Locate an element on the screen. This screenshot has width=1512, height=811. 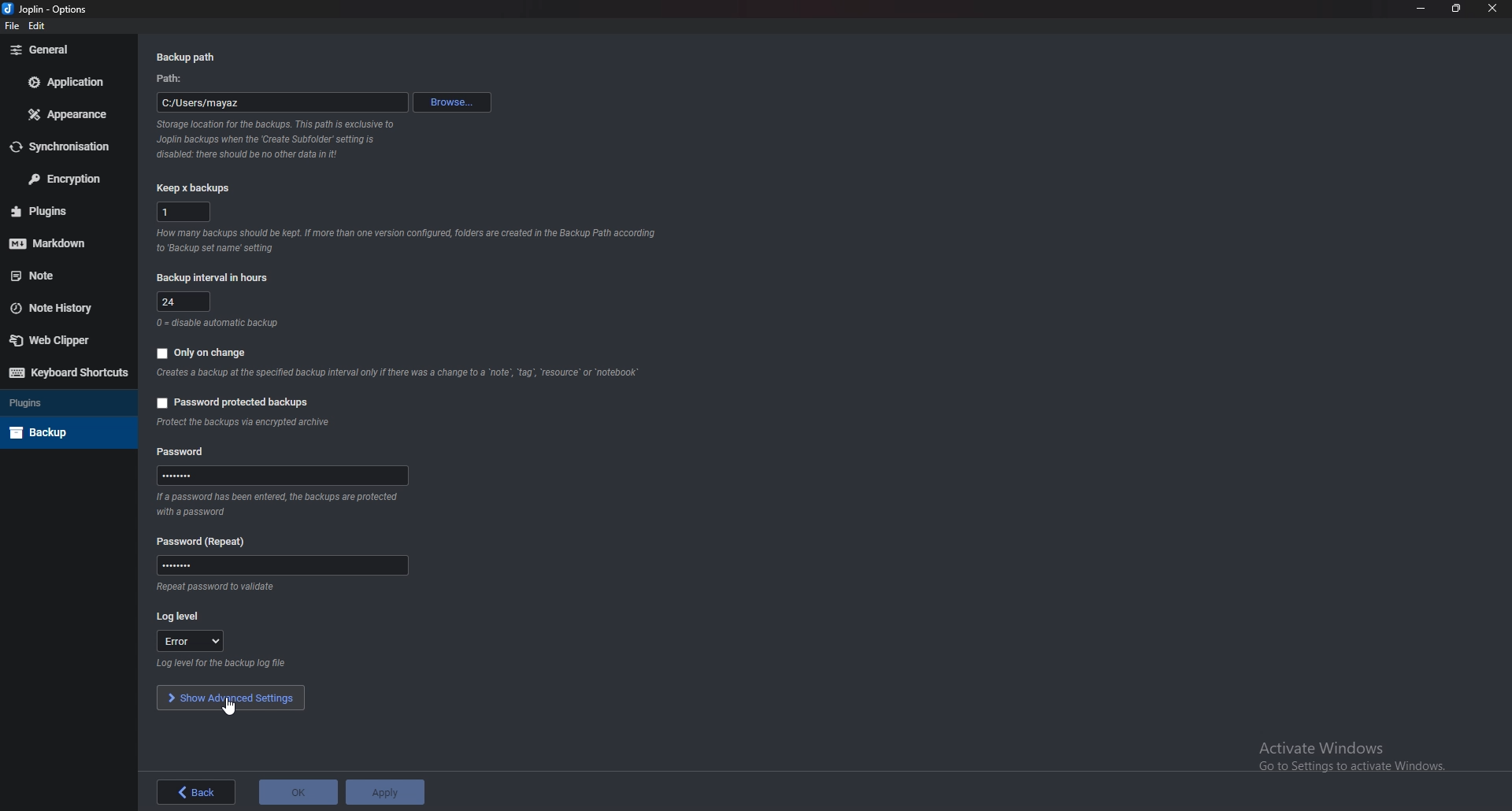
Info is located at coordinates (219, 323).